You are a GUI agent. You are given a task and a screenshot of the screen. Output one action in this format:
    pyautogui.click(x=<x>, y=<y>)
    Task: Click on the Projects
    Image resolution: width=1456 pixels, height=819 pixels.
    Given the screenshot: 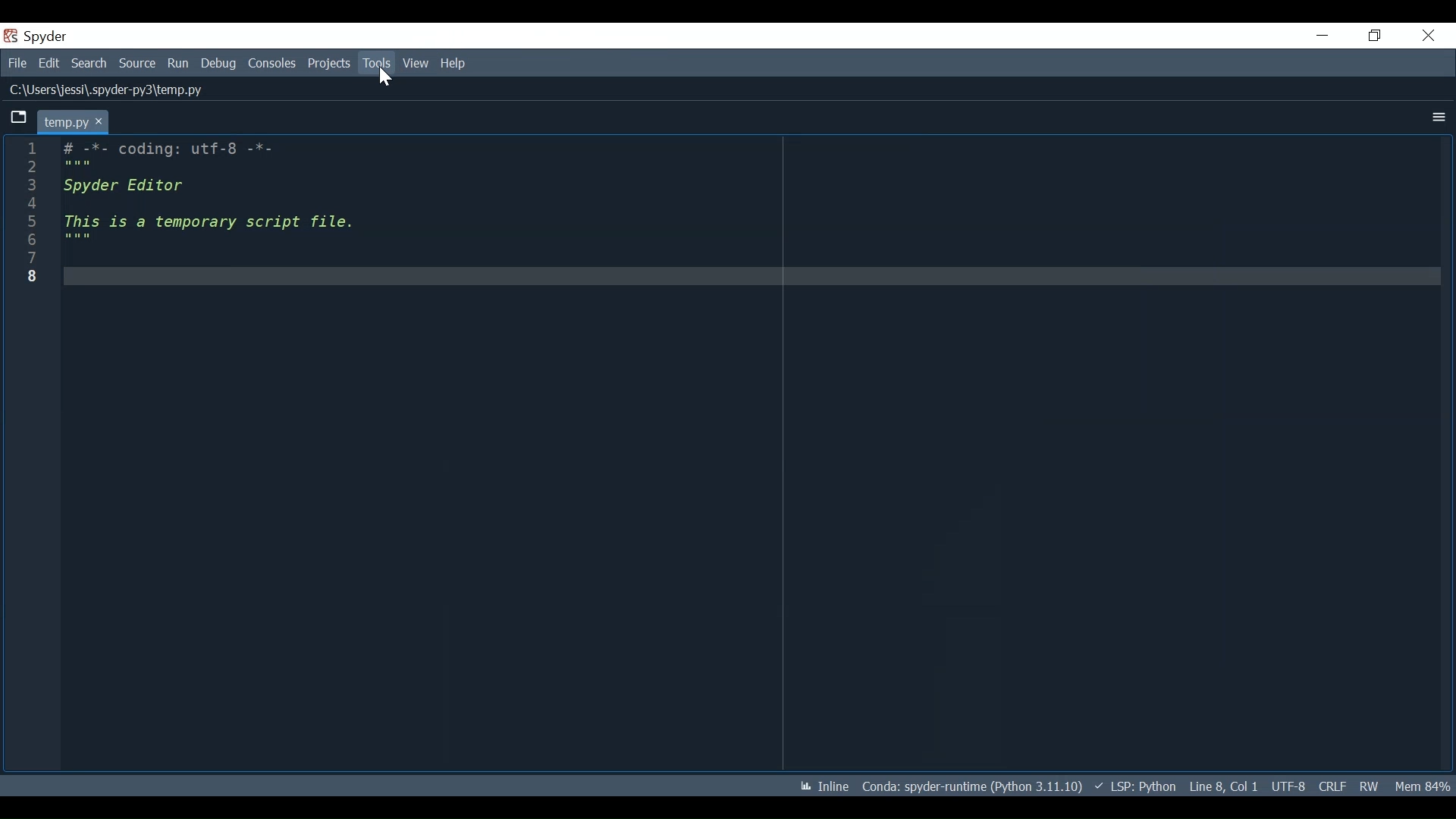 What is the action you would take?
    pyautogui.click(x=328, y=64)
    